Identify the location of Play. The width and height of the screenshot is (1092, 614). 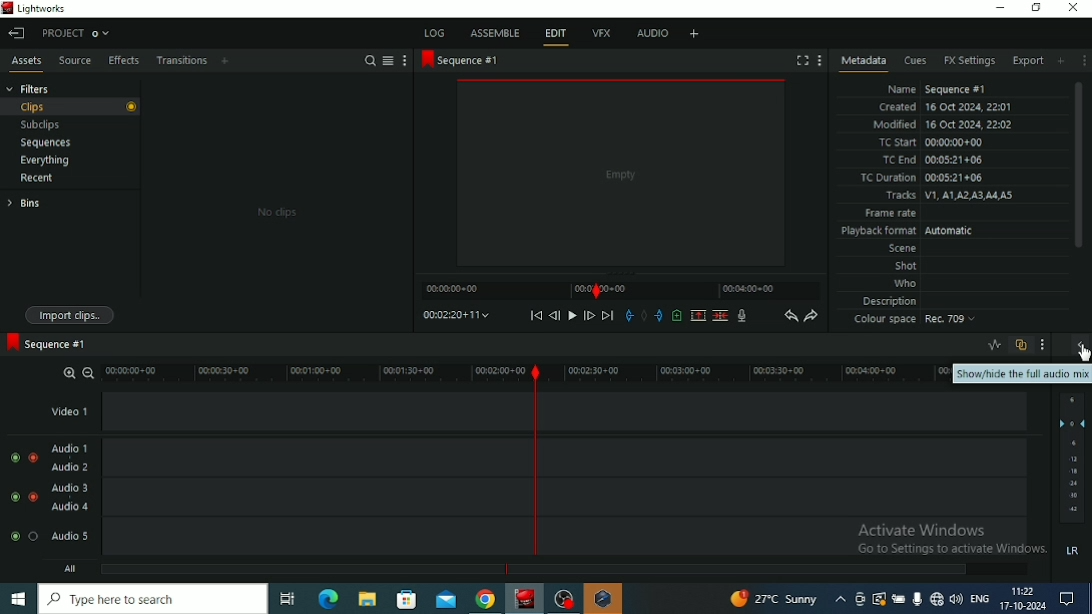
(571, 316).